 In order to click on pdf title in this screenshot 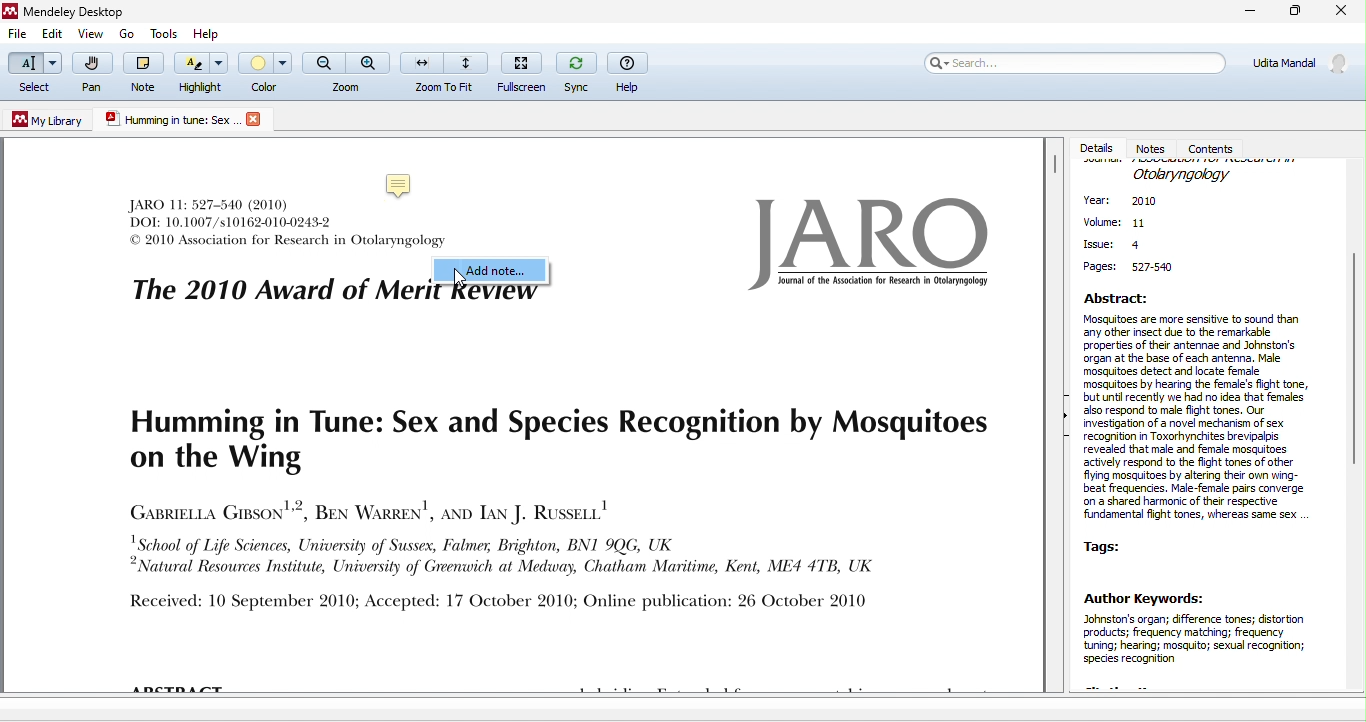, I will do `click(169, 120)`.